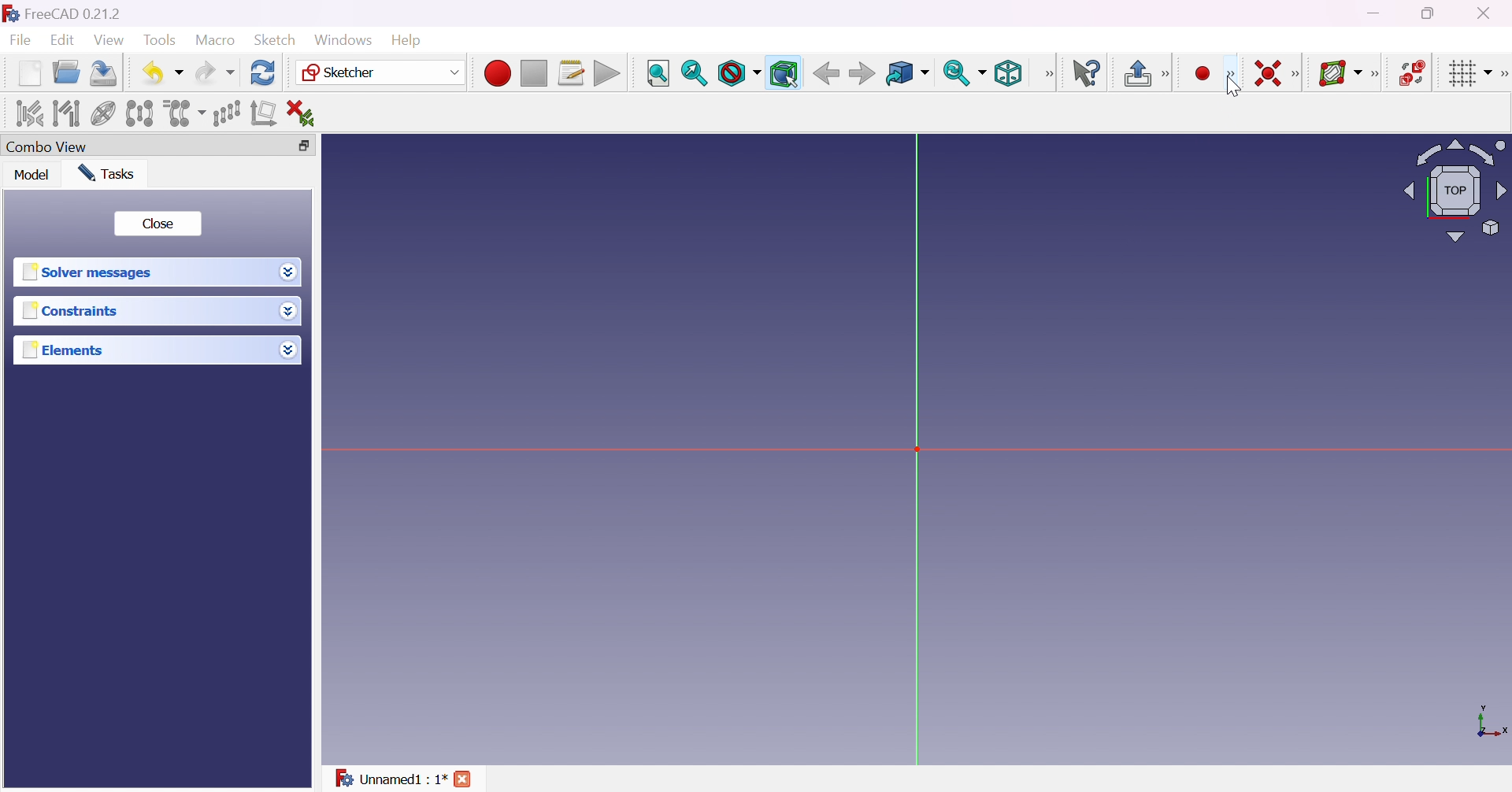 This screenshot has width=1512, height=792. I want to click on Constrain coincident, so click(1266, 73).